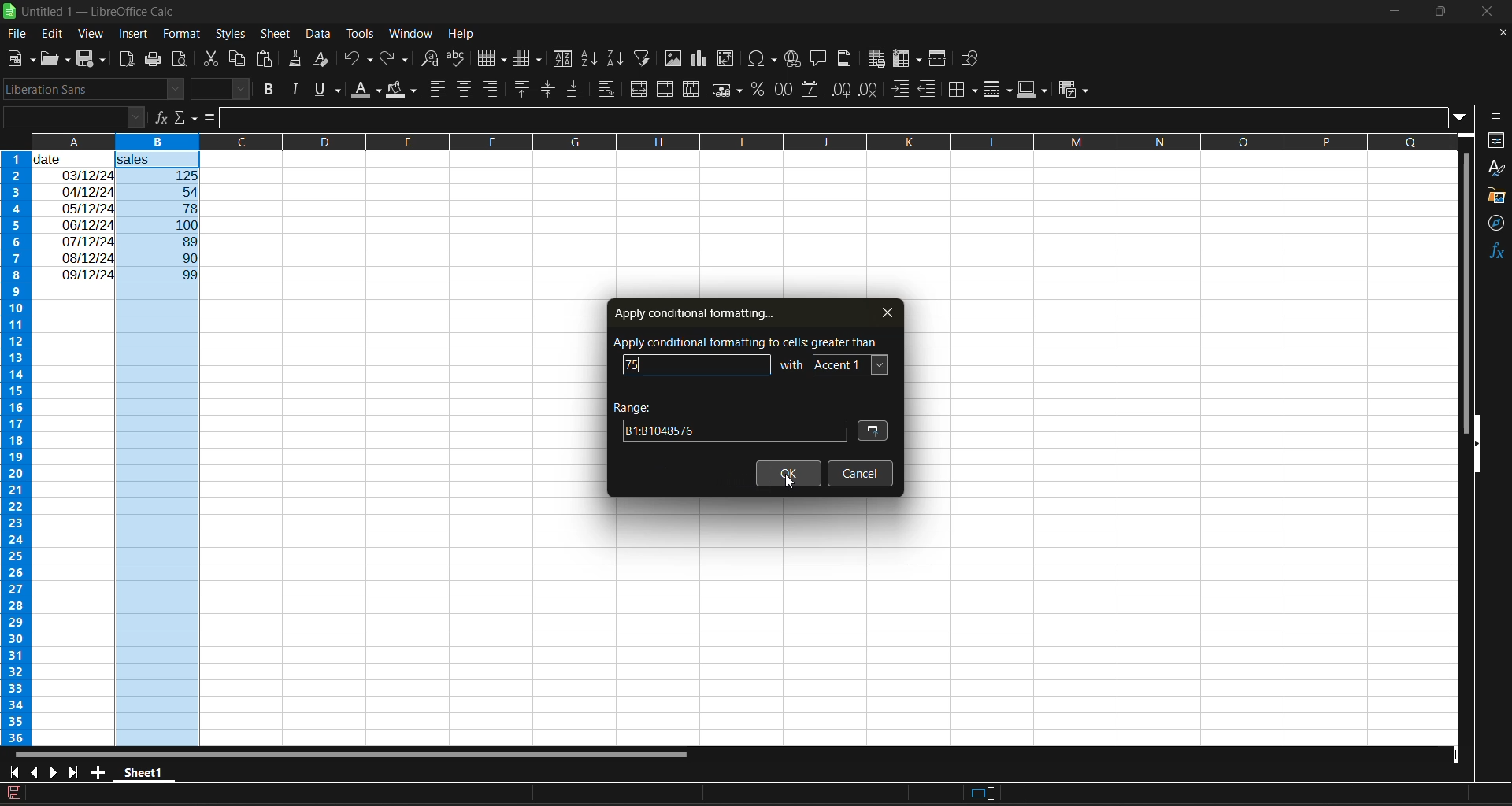  I want to click on border style, so click(999, 91).